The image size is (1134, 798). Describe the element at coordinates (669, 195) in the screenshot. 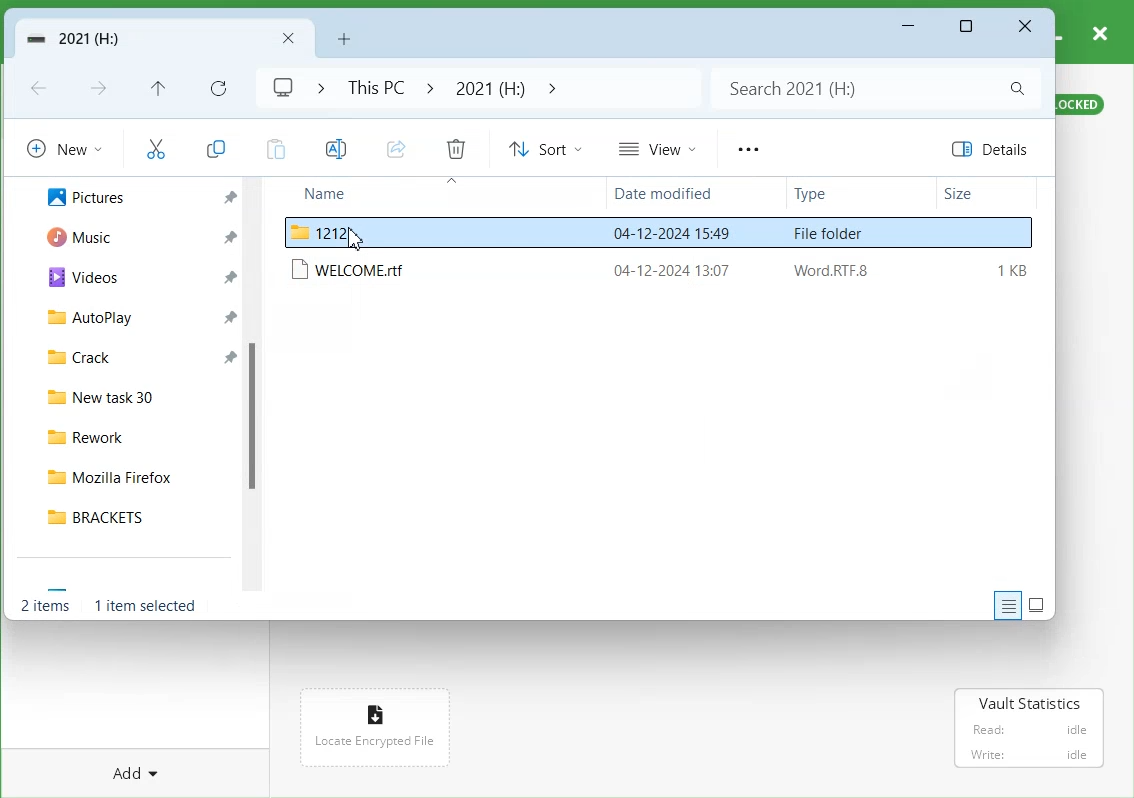

I see `Date modified` at that location.